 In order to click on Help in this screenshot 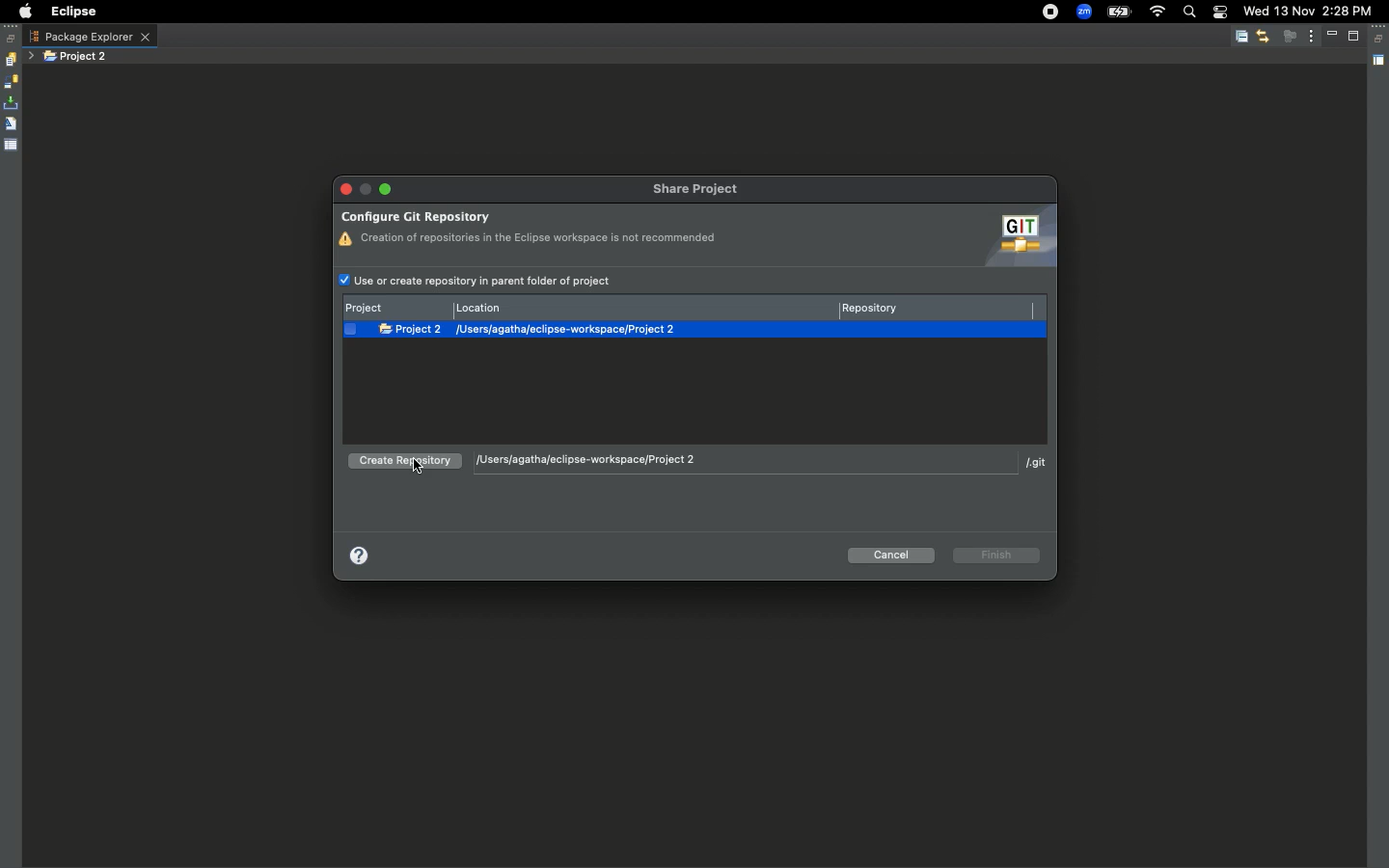, I will do `click(362, 554)`.